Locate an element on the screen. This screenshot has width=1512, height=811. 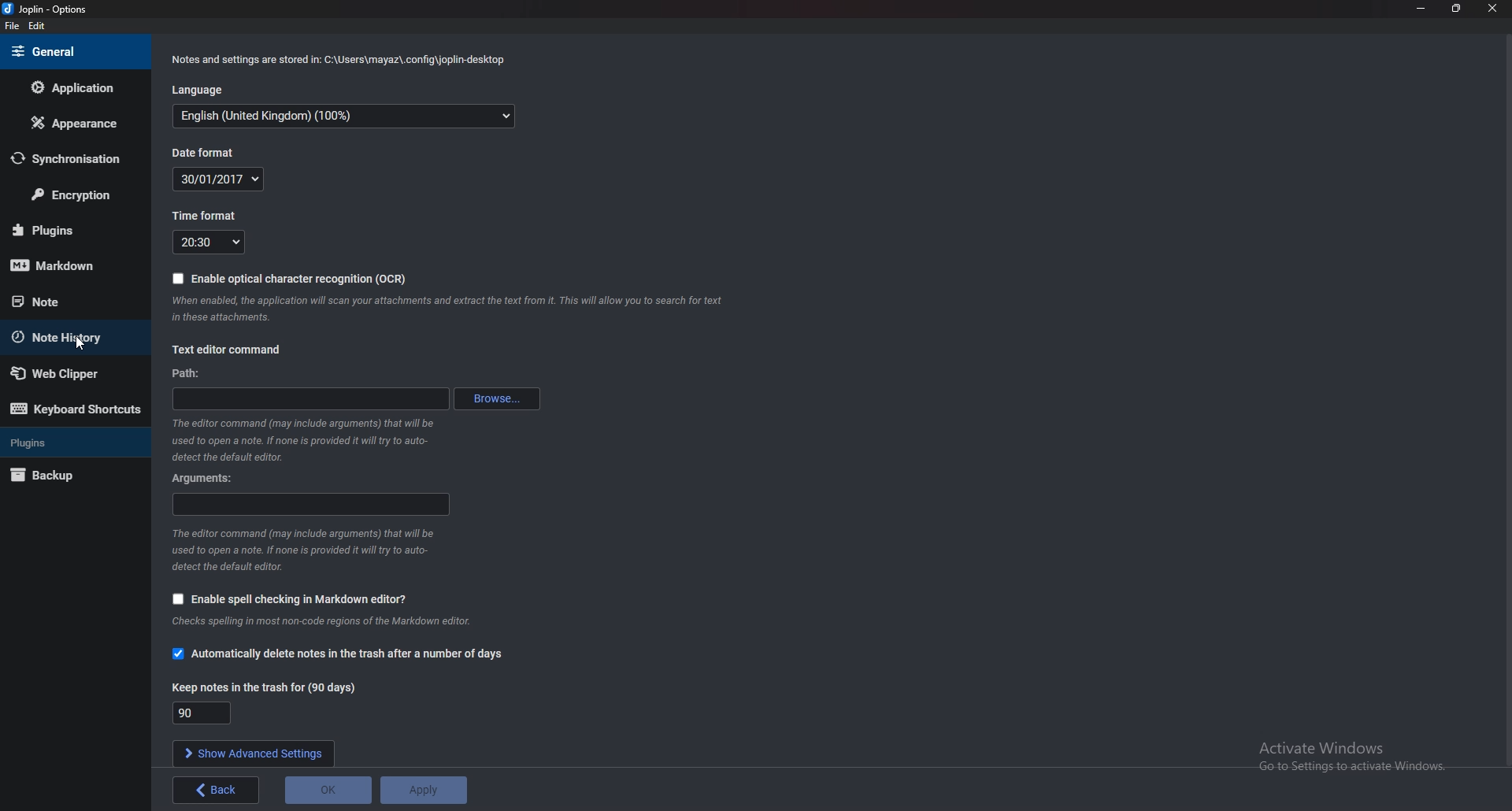
back is located at coordinates (217, 791).